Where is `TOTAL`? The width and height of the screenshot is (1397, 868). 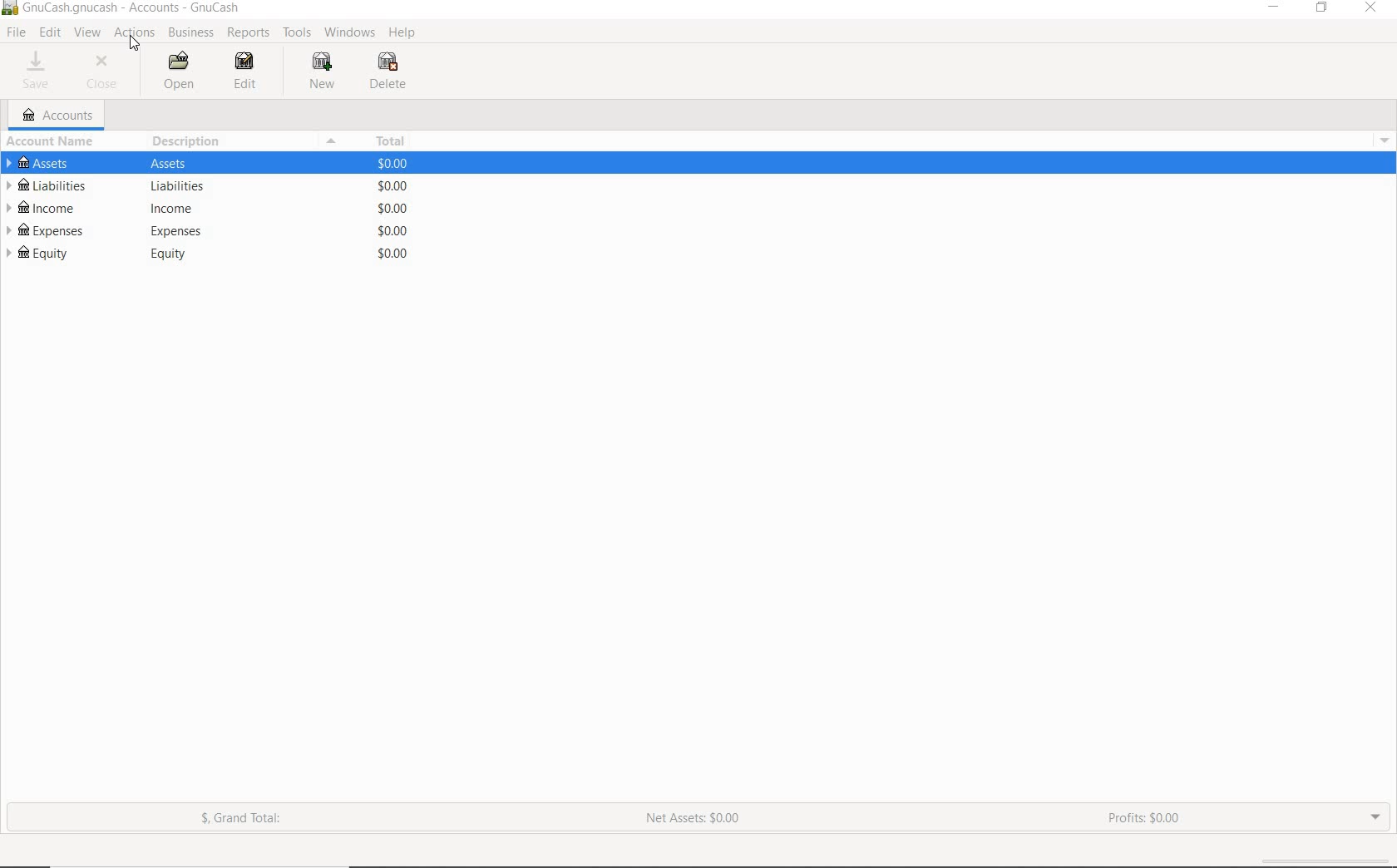 TOTAL is located at coordinates (389, 141).